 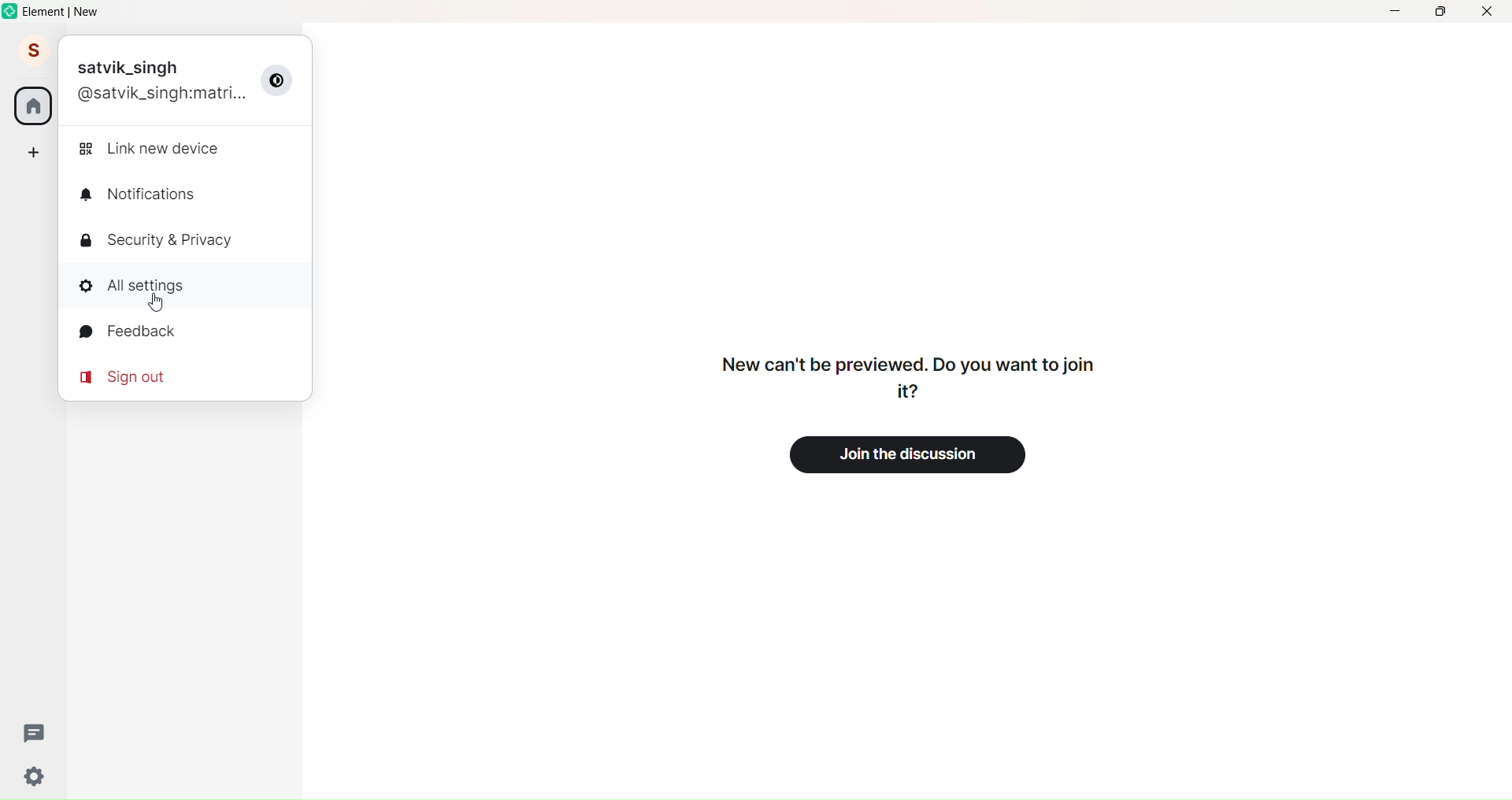 I want to click on Create a space, so click(x=33, y=151).